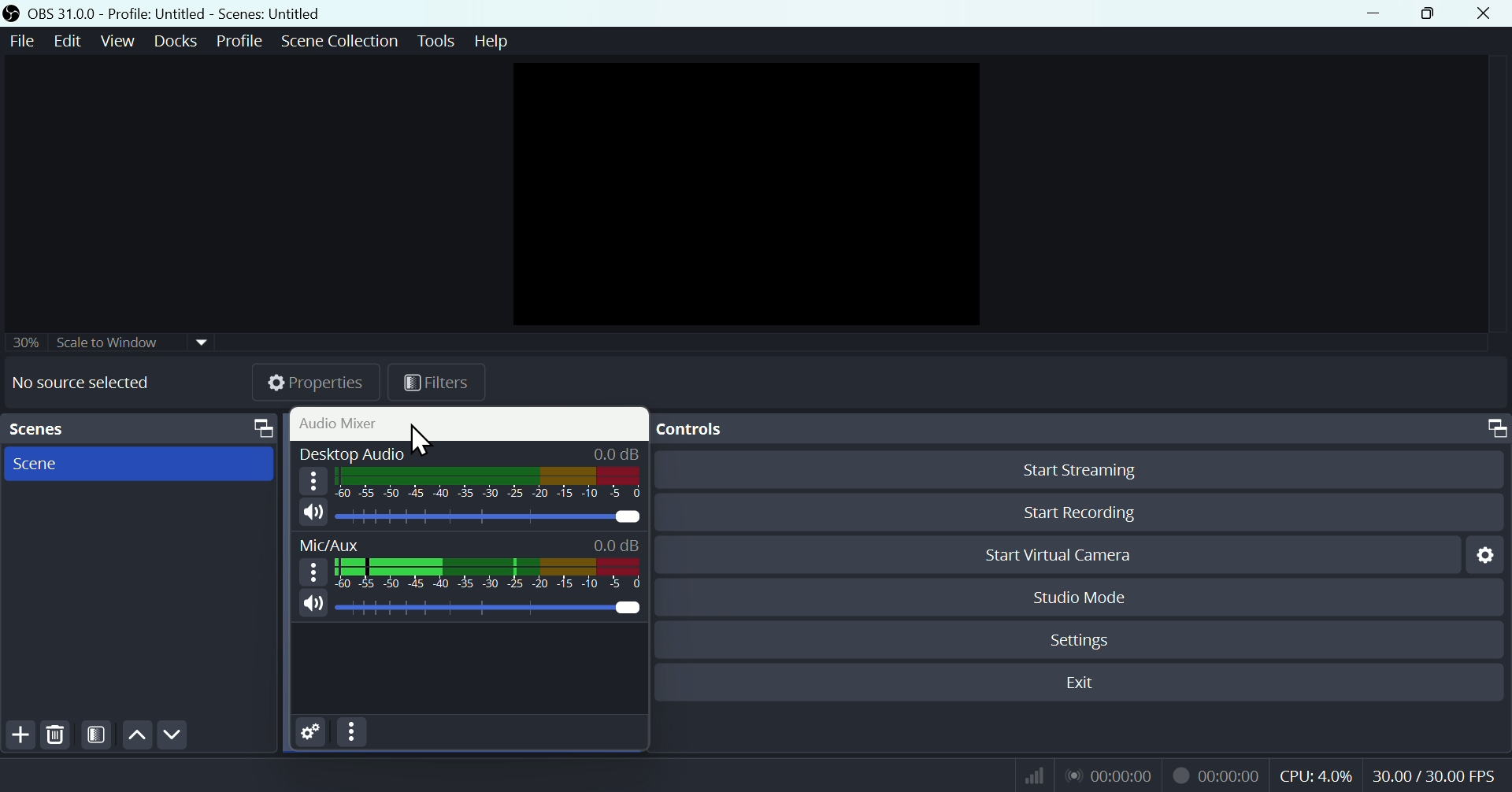 The height and width of the screenshot is (792, 1512). What do you see at coordinates (619, 451) in the screenshot?
I see `0.0dB` at bounding box center [619, 451].